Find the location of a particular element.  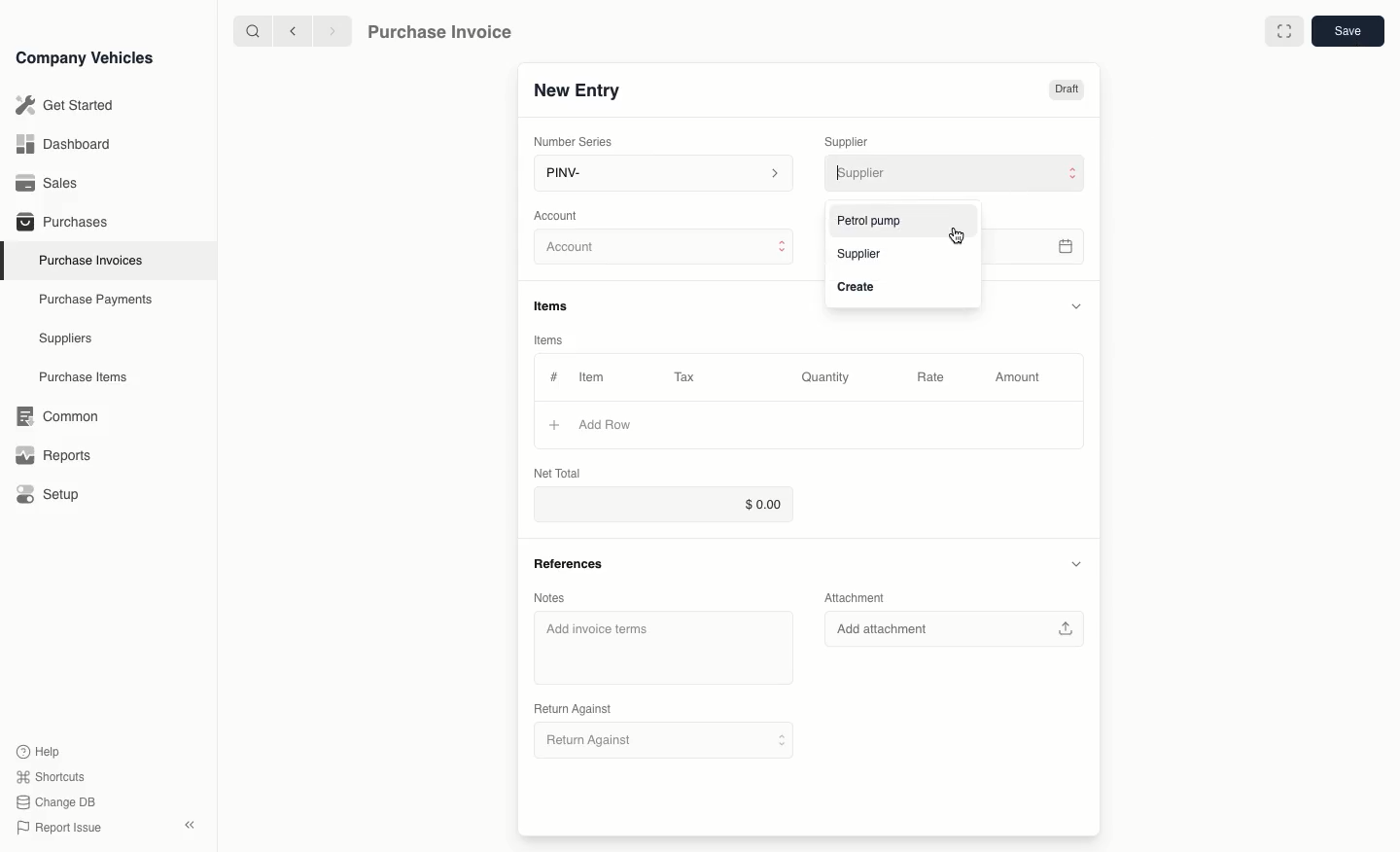

Item is located at coordinates (590, 379).